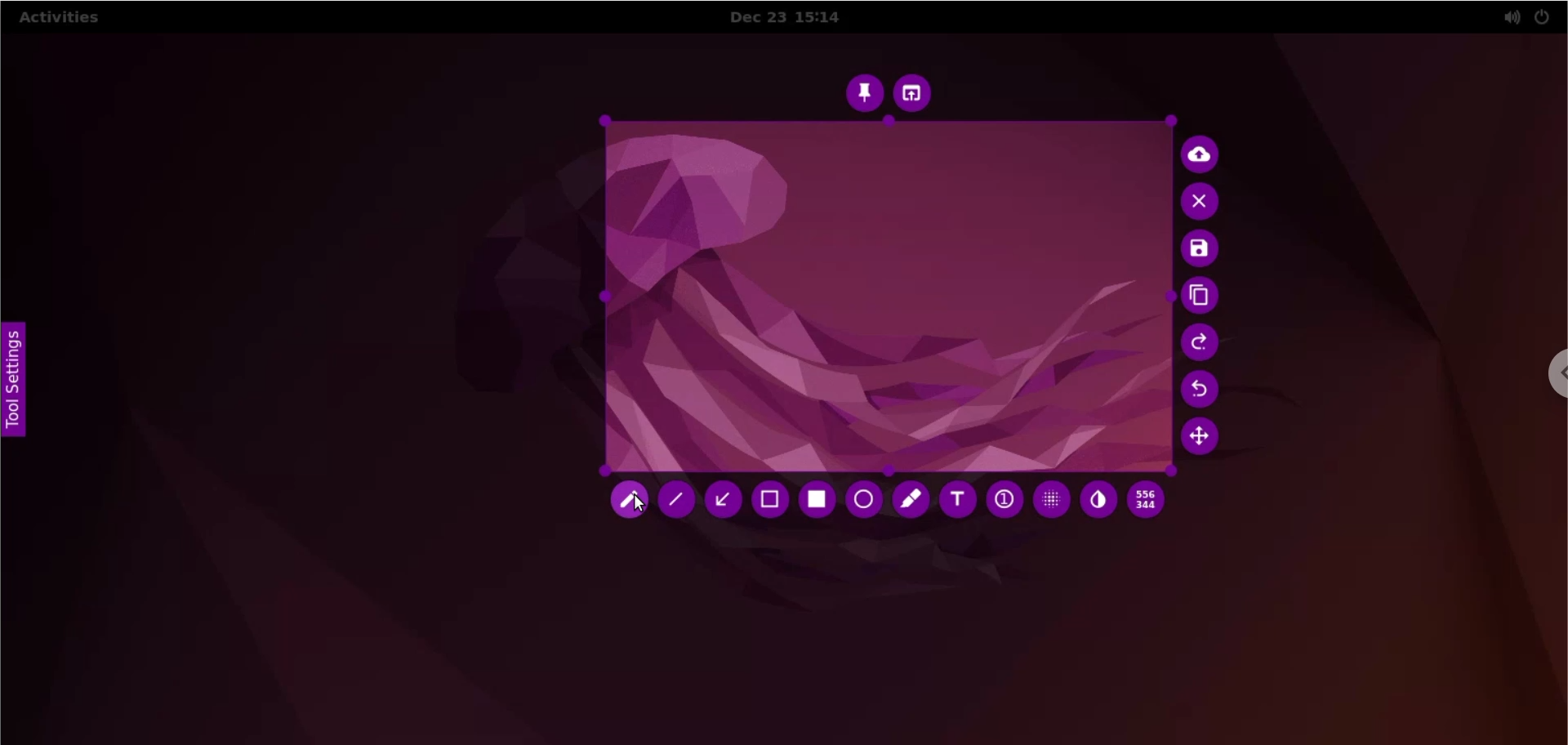 This screenshot has width=1568, height=745. What do you see at coordinates (822, 500) in the screenshot?
I see `rectangle` at bounding box center [822, 500].